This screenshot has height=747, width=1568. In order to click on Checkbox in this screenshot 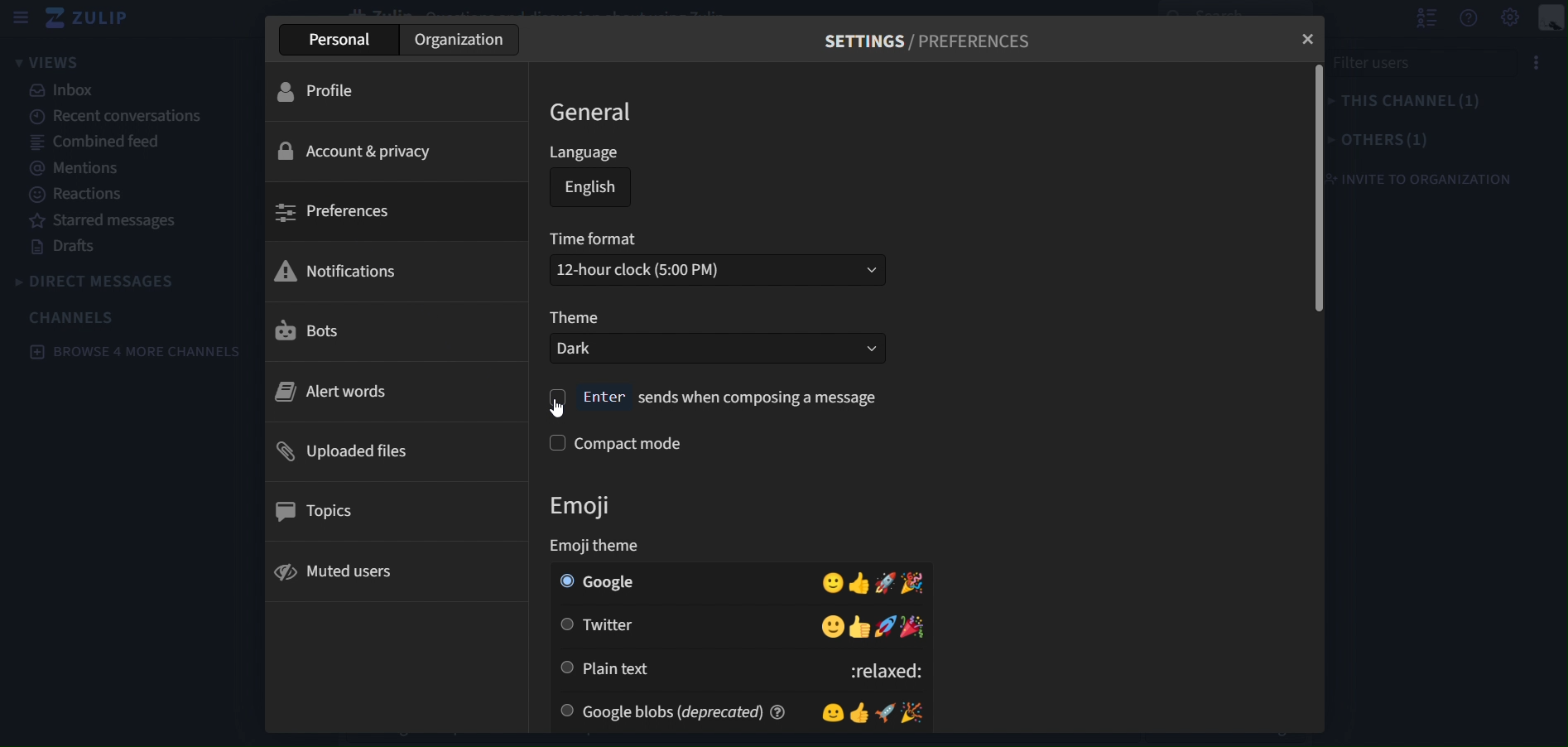, I will do `click(565, 711)`.